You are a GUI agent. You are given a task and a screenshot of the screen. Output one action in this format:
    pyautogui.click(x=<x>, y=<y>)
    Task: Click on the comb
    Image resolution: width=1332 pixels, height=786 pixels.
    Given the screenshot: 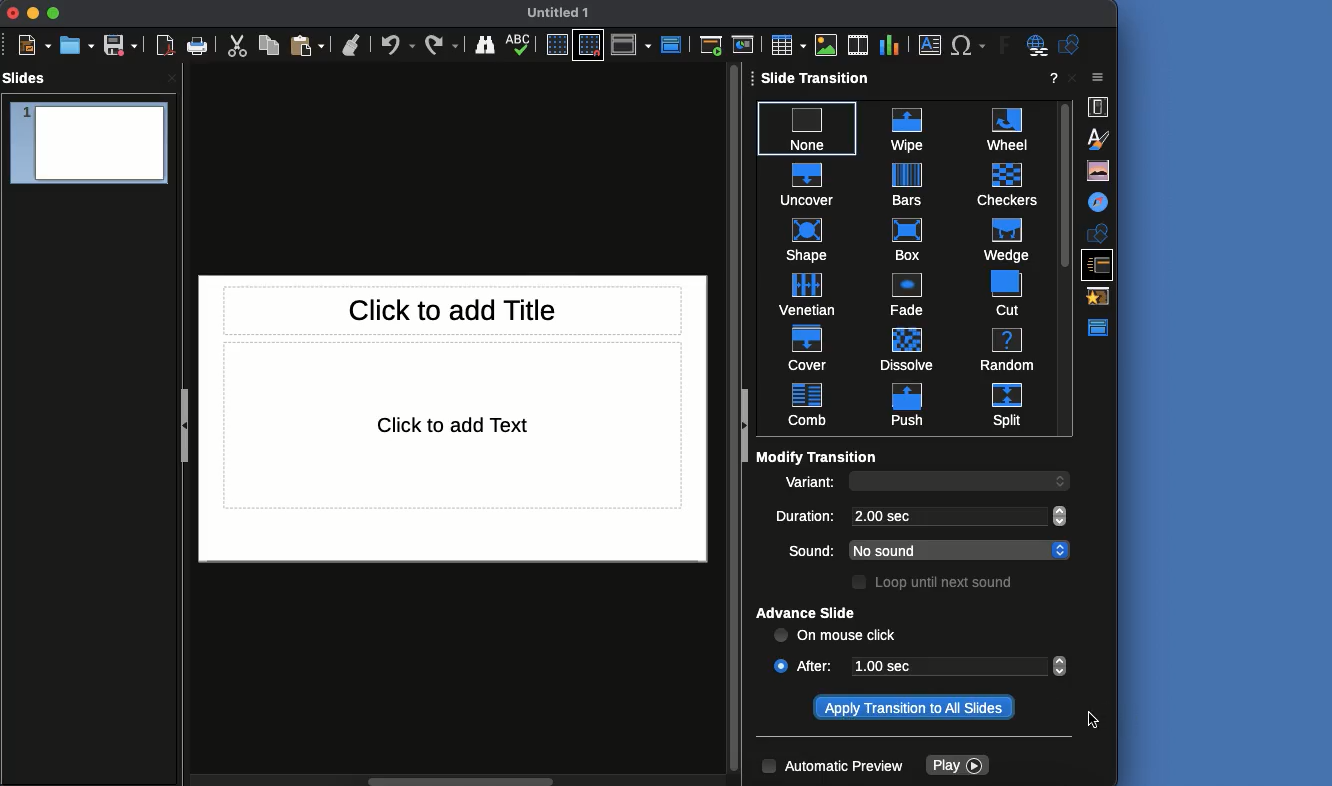 What is the action you would take?
    pyautogui.click(x=808, y=405)
    